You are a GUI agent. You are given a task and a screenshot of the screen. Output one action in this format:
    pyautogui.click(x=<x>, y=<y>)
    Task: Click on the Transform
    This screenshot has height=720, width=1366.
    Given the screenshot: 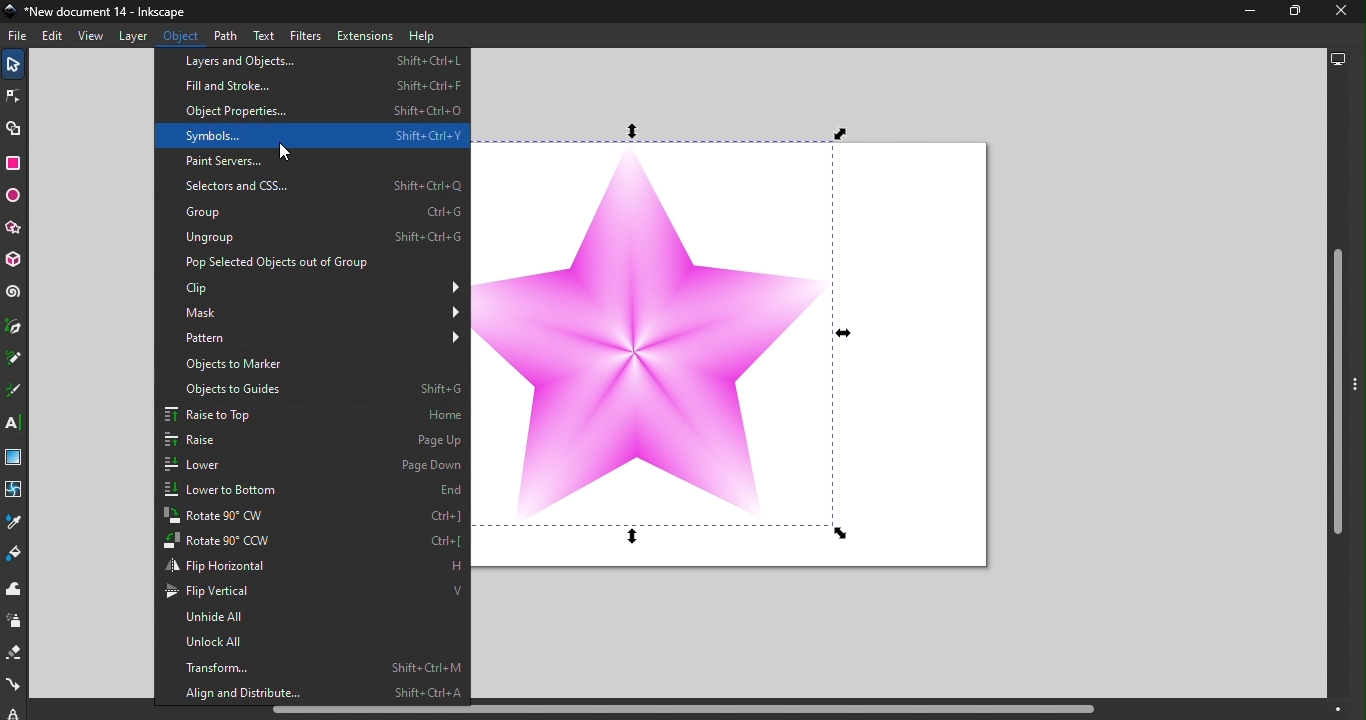 What is the action you would take?
    pyautogui.click(x=313, y=666)
    